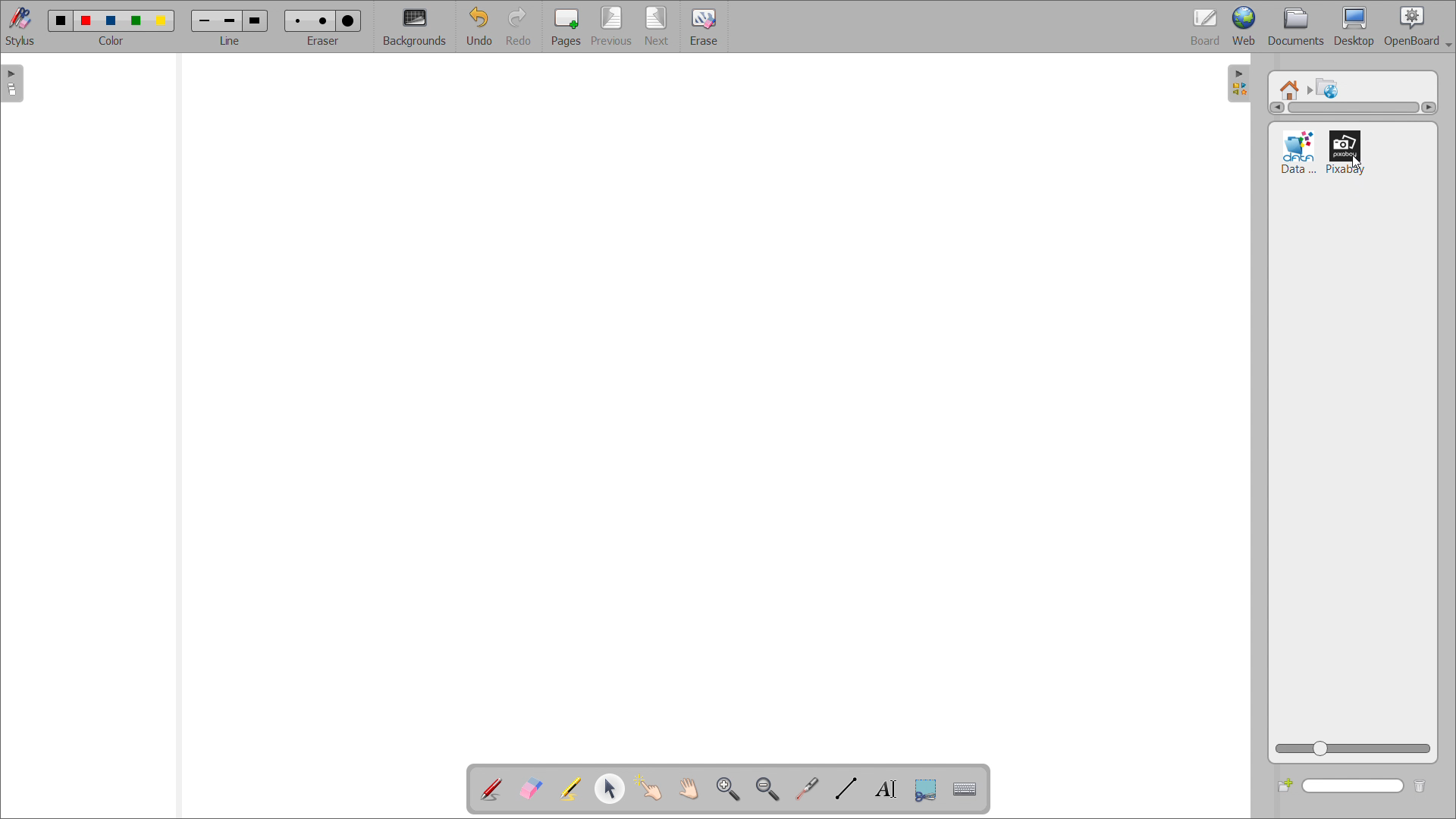 This screenshot has height=819, width=1456. Describe the element at coordinates (886, 789) in the screenshot. I see `write text` at that location.